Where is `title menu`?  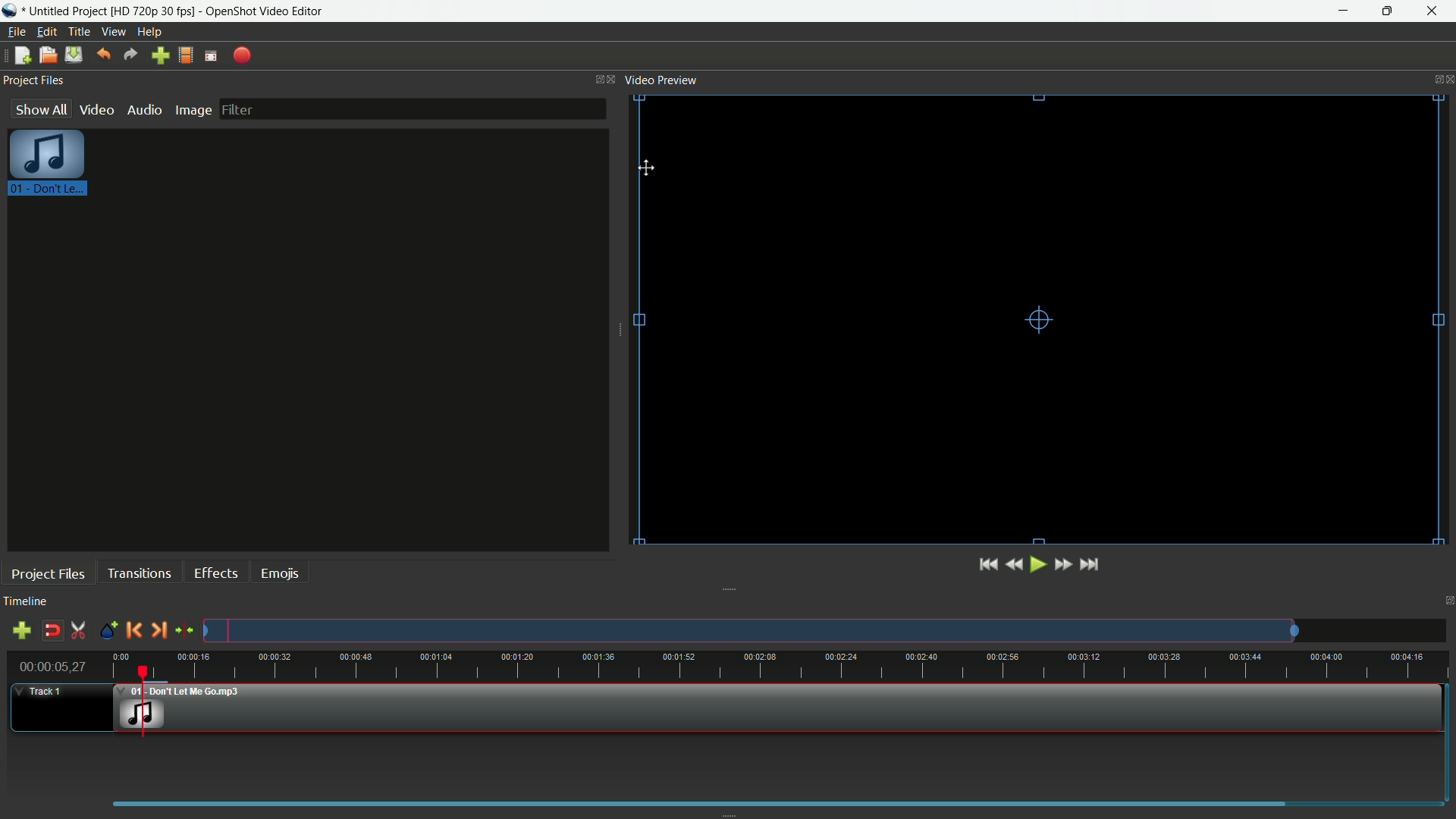 title menu is located at coordinates (80, 31).